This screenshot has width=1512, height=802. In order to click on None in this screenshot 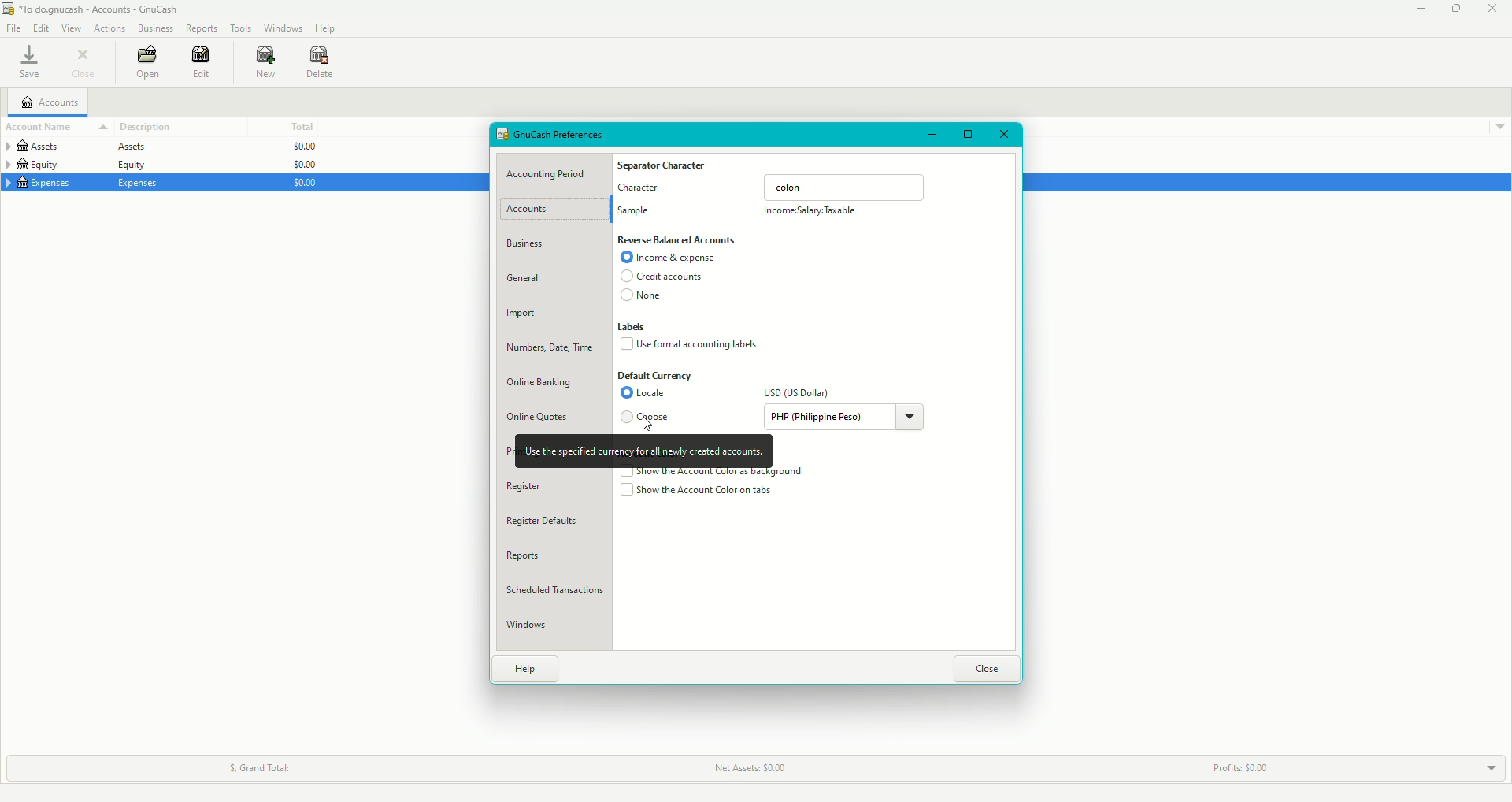, I will do `click(643, 298)`.